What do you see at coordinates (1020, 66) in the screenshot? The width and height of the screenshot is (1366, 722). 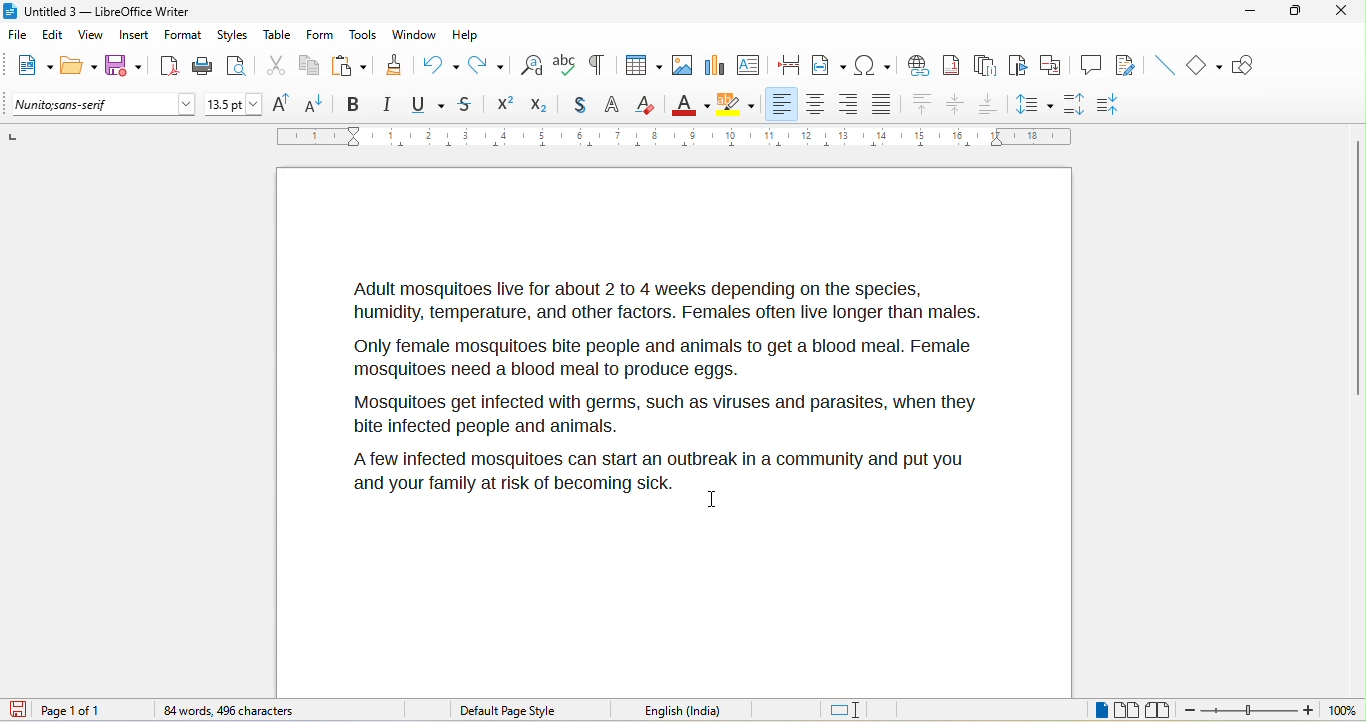 I see `bookmark` at bounding box center [1020, 66].